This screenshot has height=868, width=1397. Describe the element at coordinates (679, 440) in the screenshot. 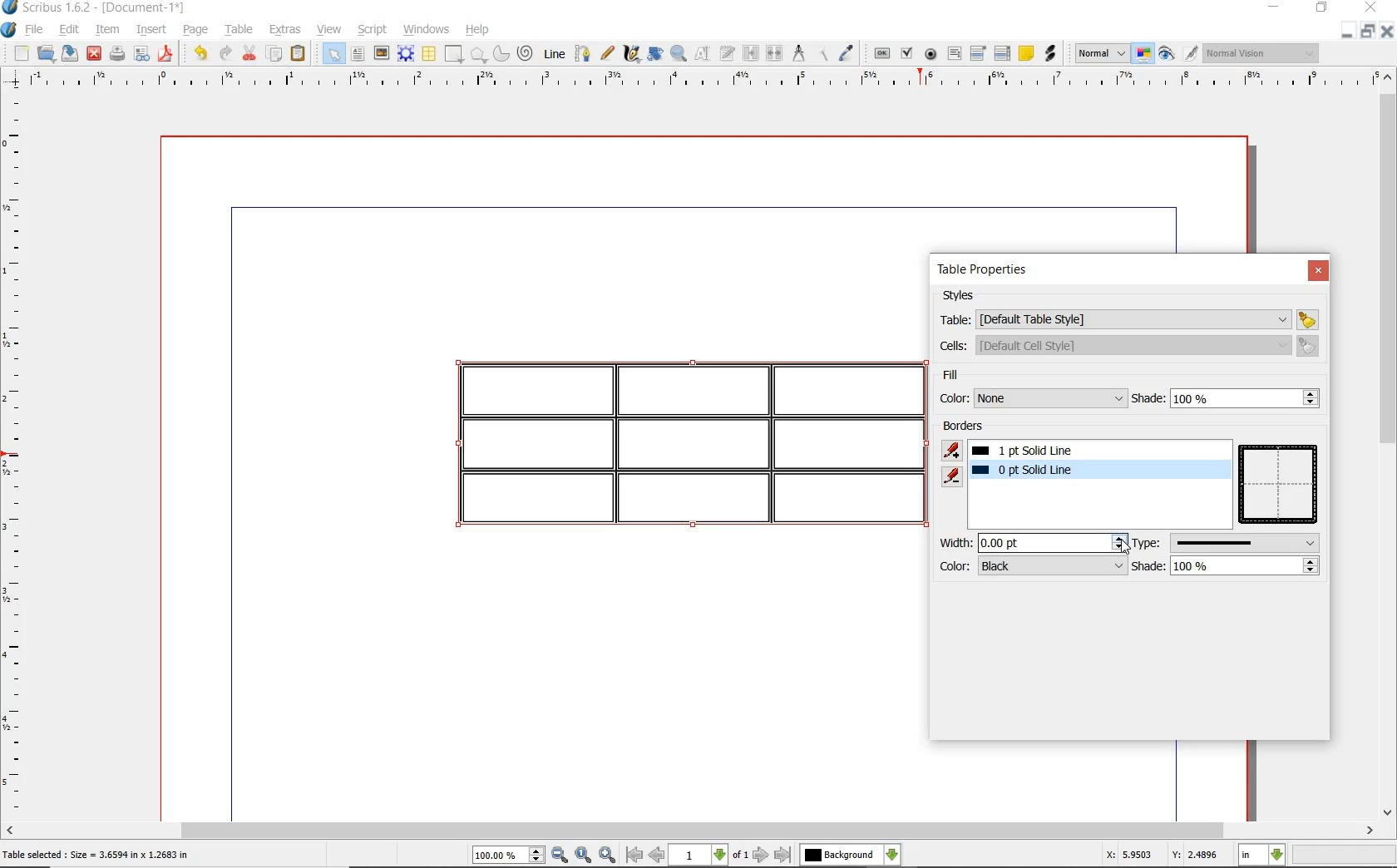

I see `table highlighted` at that location.